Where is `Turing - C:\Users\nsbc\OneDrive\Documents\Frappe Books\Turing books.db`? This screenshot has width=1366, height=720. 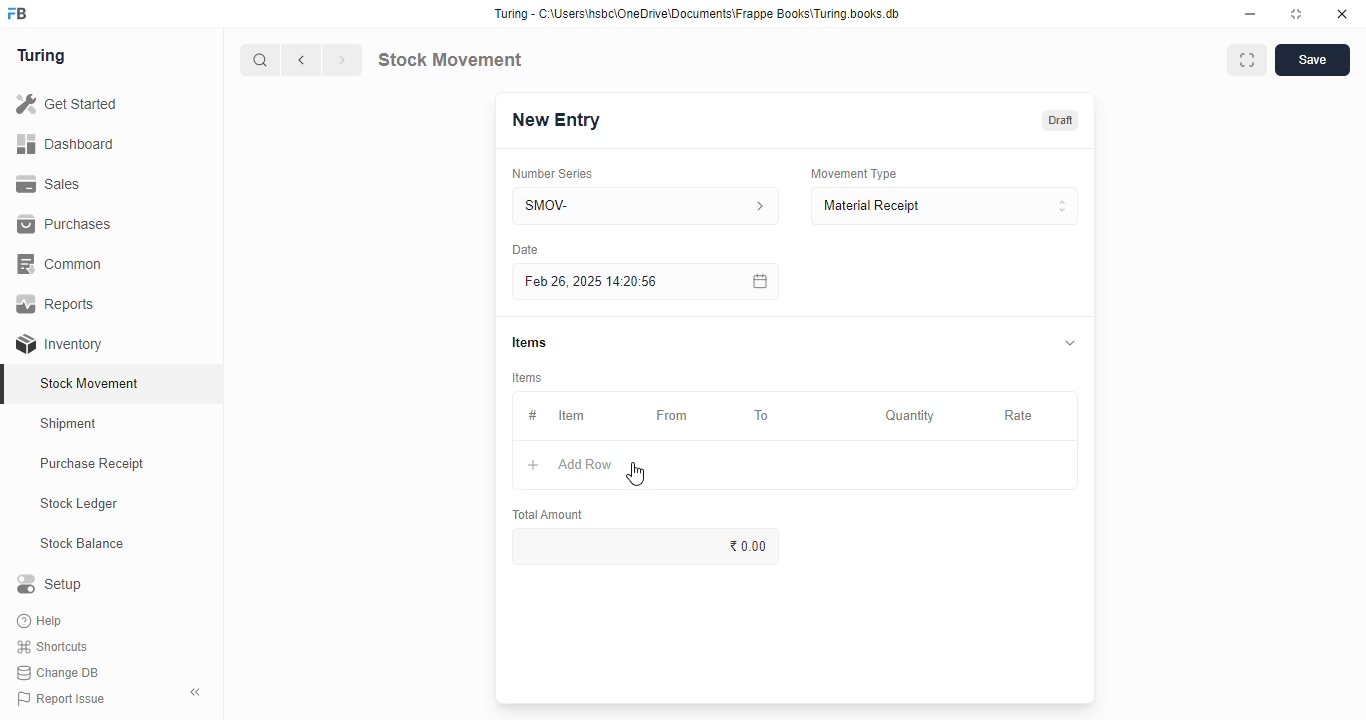 Turing - C:\Users\nsbc\OneDrive\Documents\Frappe Books\Turing books.db is located at coordinates (698, 14).